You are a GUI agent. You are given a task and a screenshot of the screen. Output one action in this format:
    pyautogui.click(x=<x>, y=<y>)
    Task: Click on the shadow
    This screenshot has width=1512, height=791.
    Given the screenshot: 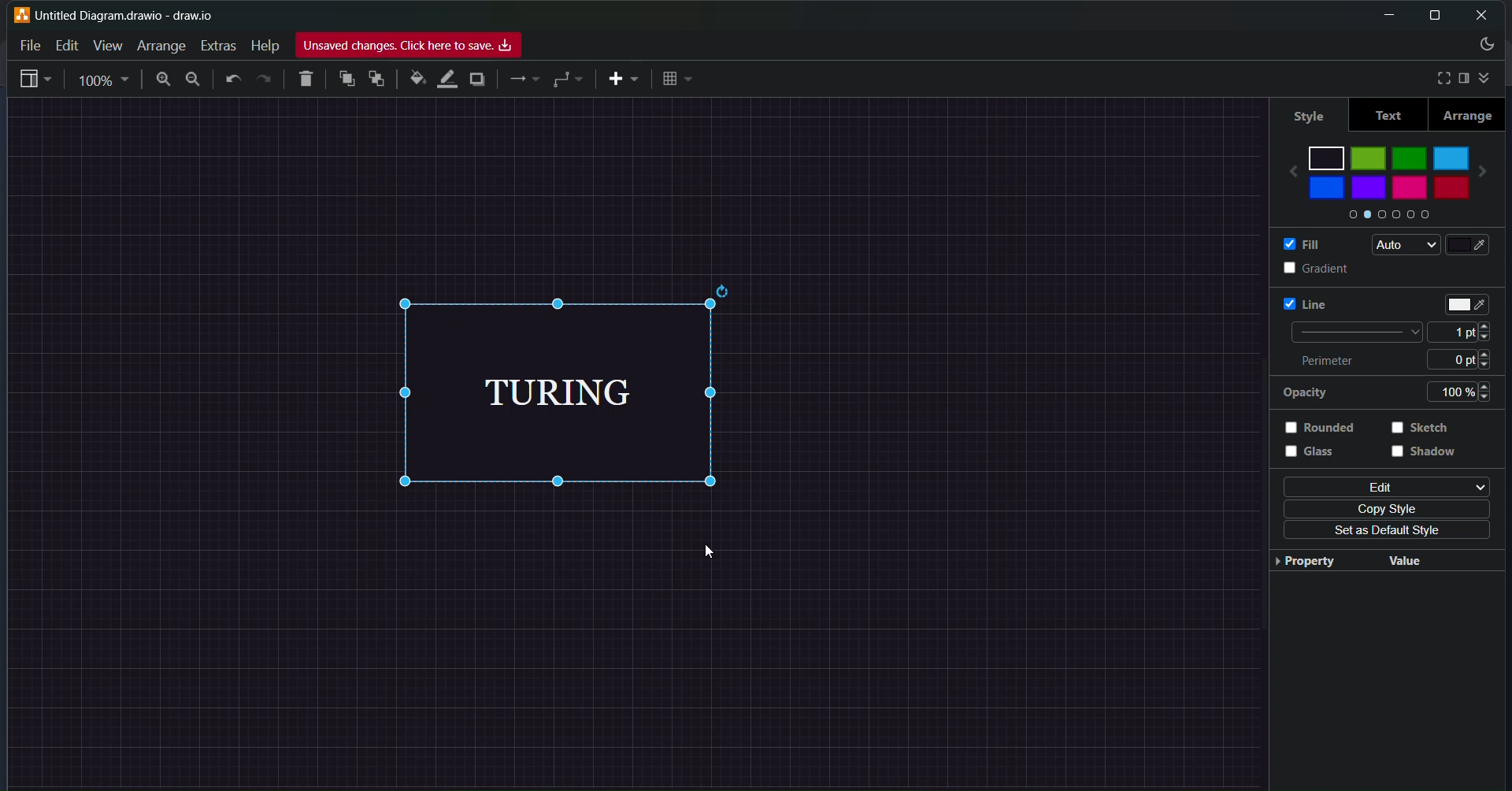 What is the action you would take?
    pyautogui.click(x=1427, y=458)
    